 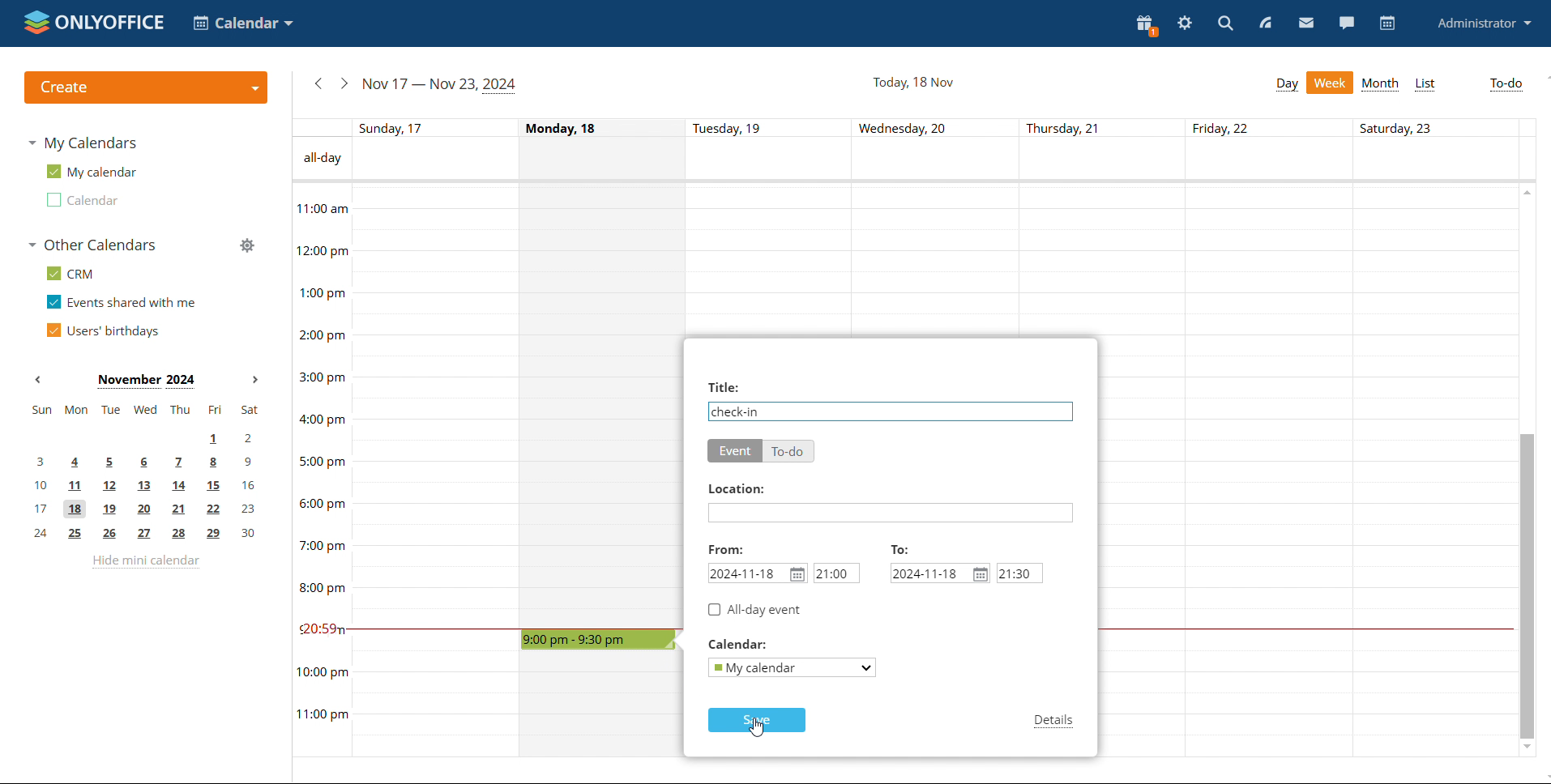 What do you see at coordinates (1523, 586) in the screenshot?
I see `scrollbar` at bounding box center [1523, 586].